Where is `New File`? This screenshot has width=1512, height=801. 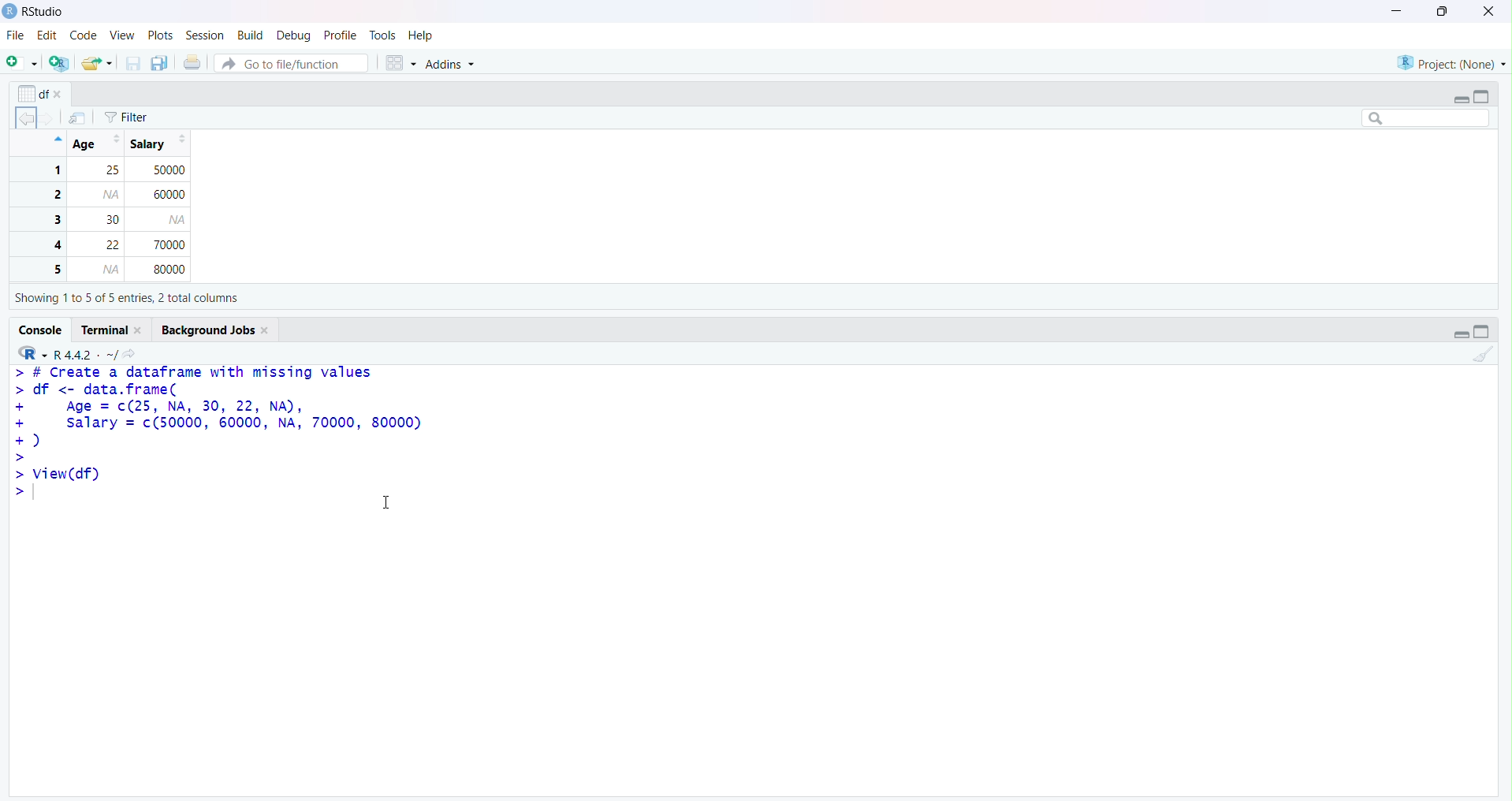
New File is located at coordinates (21, 58).